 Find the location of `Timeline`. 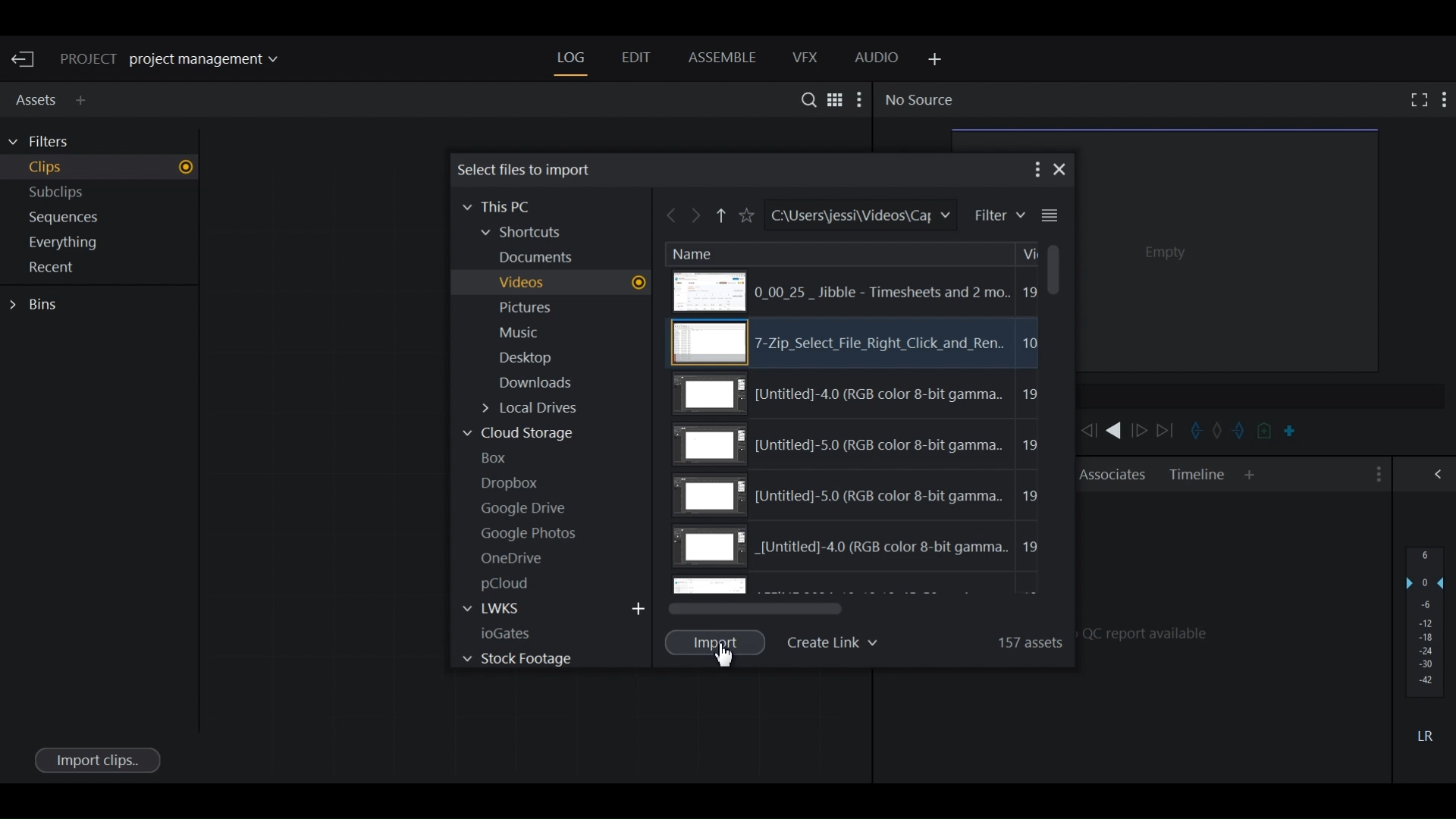

Timeline is located at coordinates (1197, 475).